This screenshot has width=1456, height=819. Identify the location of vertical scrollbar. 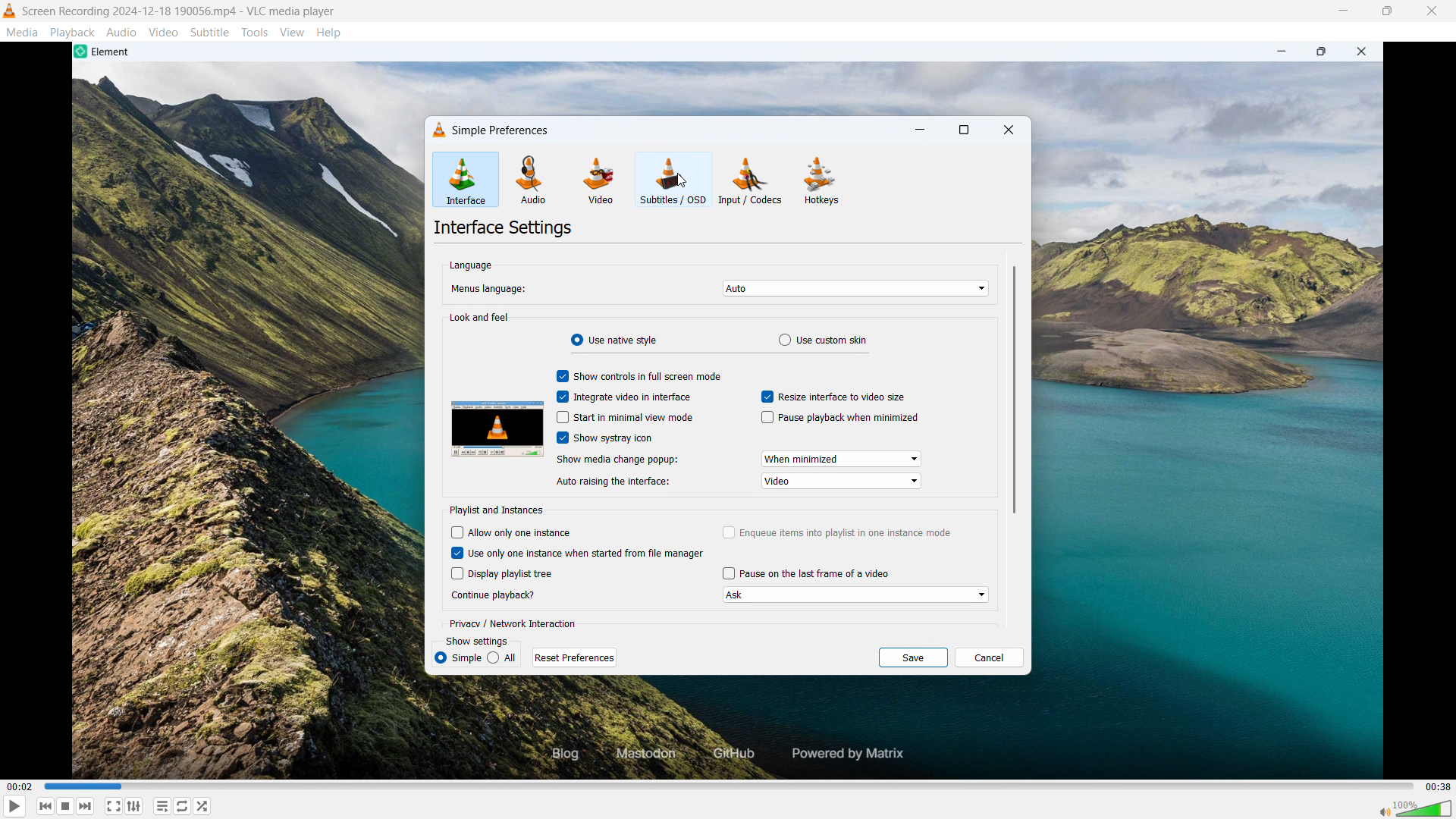
(1013, 391).